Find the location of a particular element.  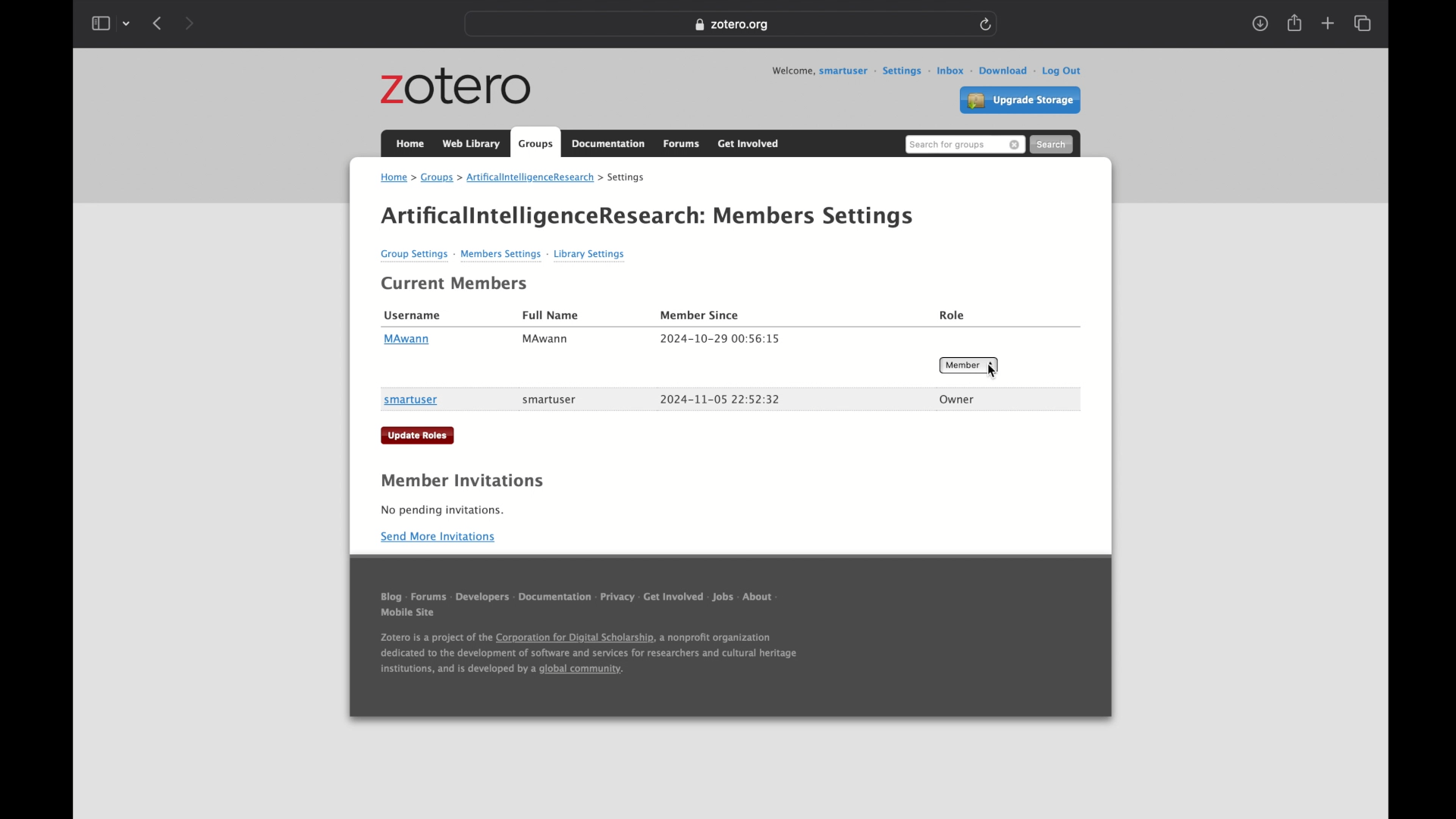

documentation is located at coordinates (555, 601).